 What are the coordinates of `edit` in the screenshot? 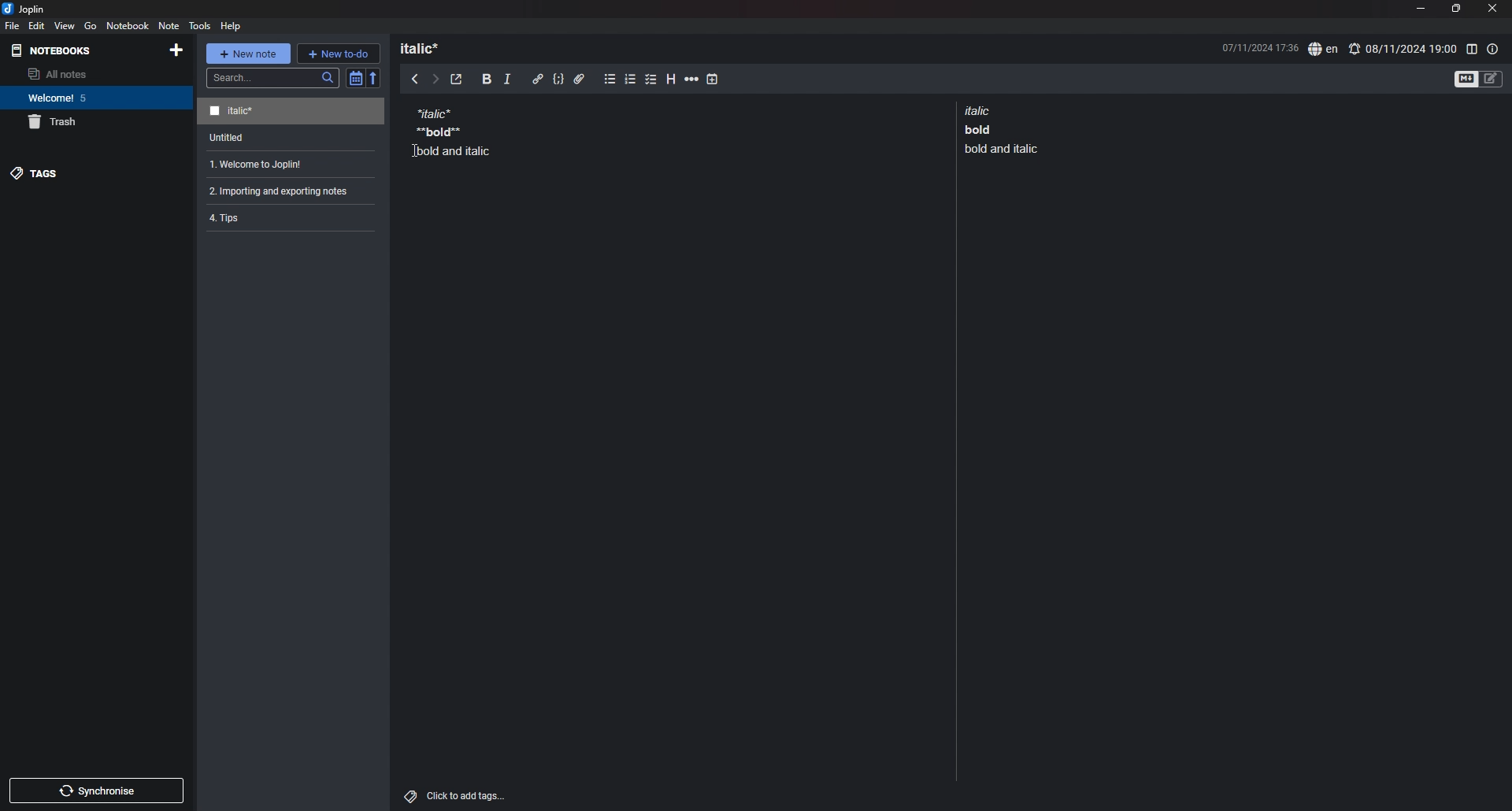 It's located at (37, 25).